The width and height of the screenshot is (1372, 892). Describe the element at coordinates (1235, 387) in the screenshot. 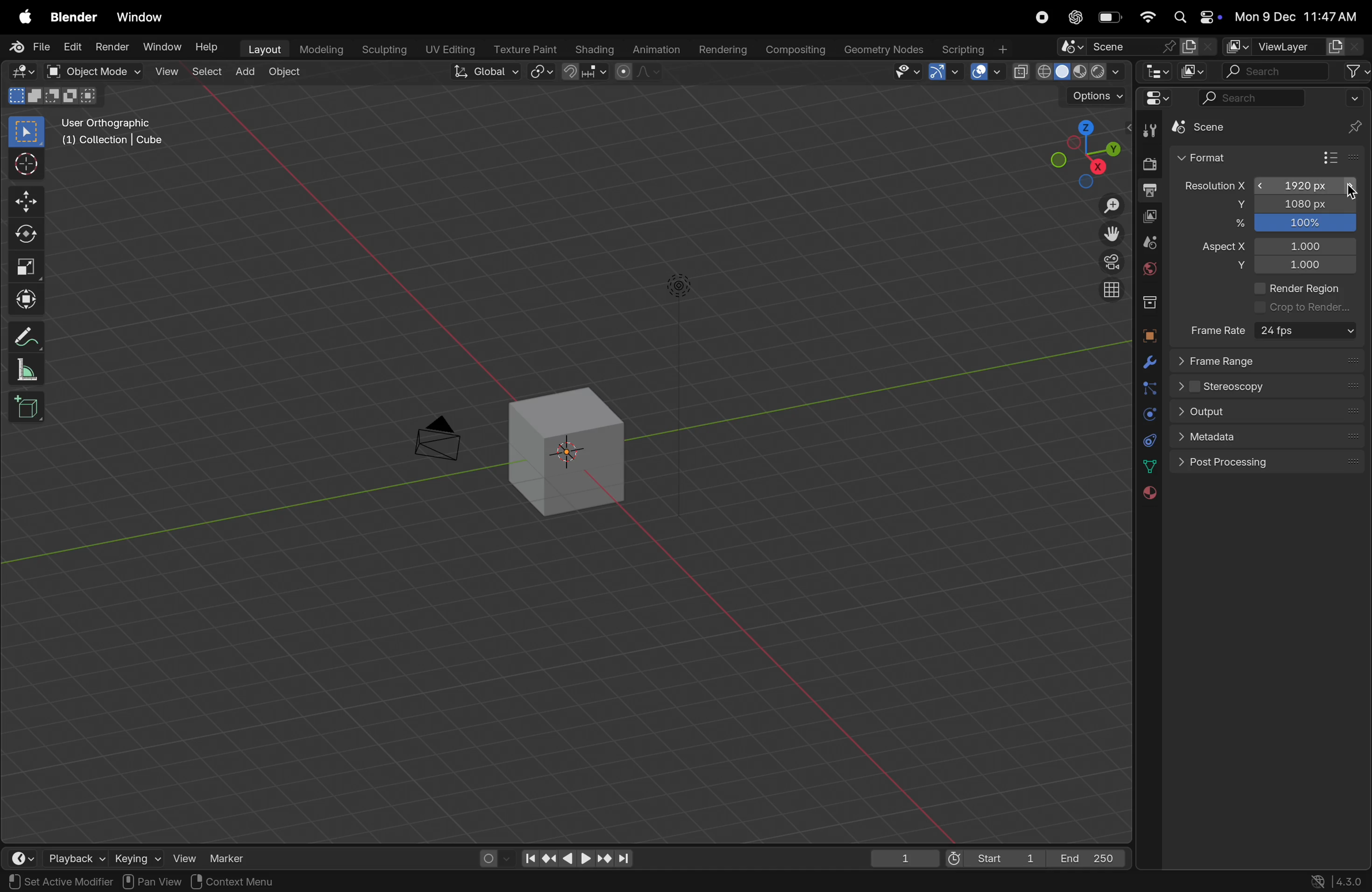

I see `sterescopy` at that location.